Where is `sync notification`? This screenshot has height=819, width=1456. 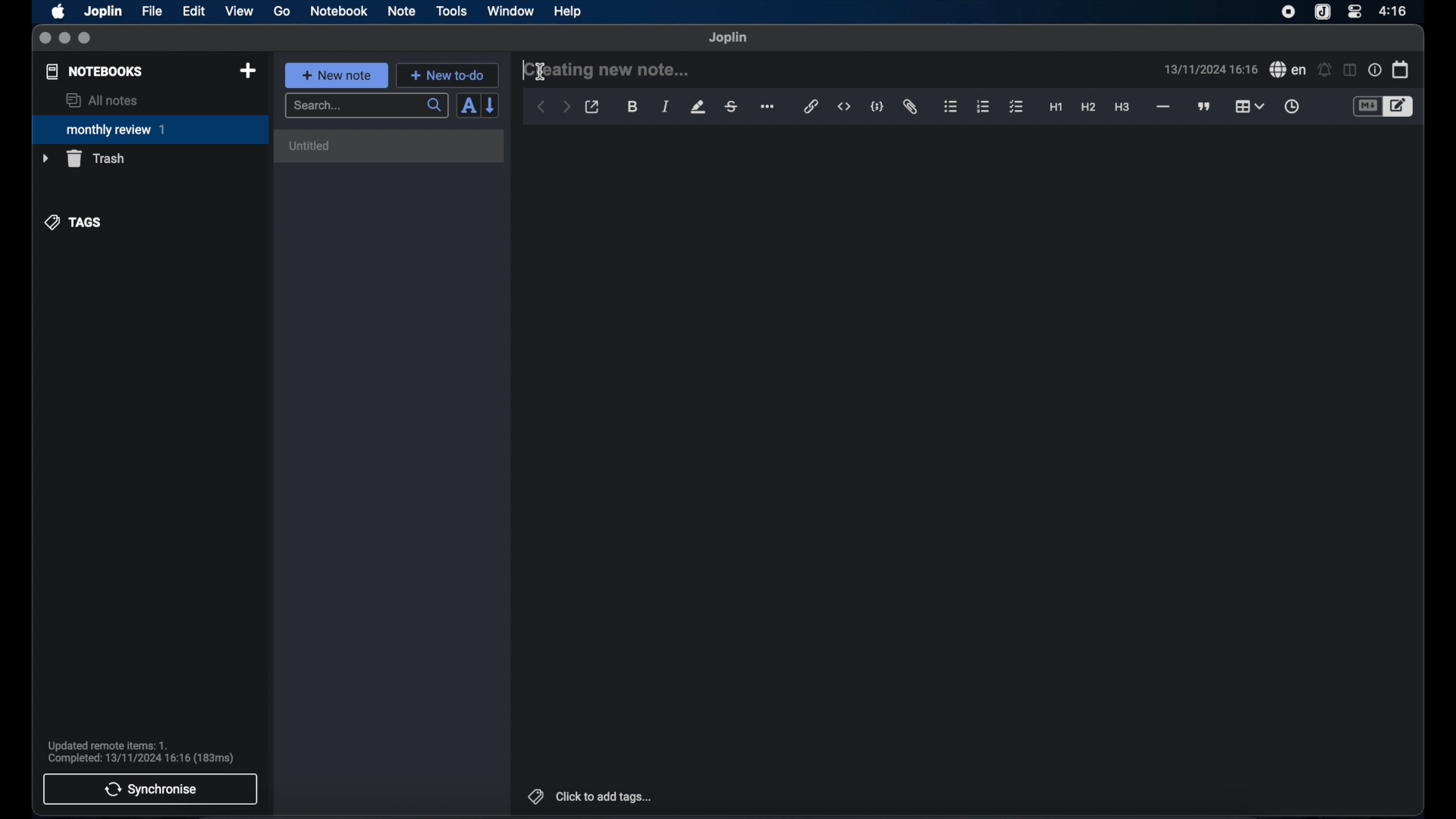 sync notification is located at coordinates (141, 752).